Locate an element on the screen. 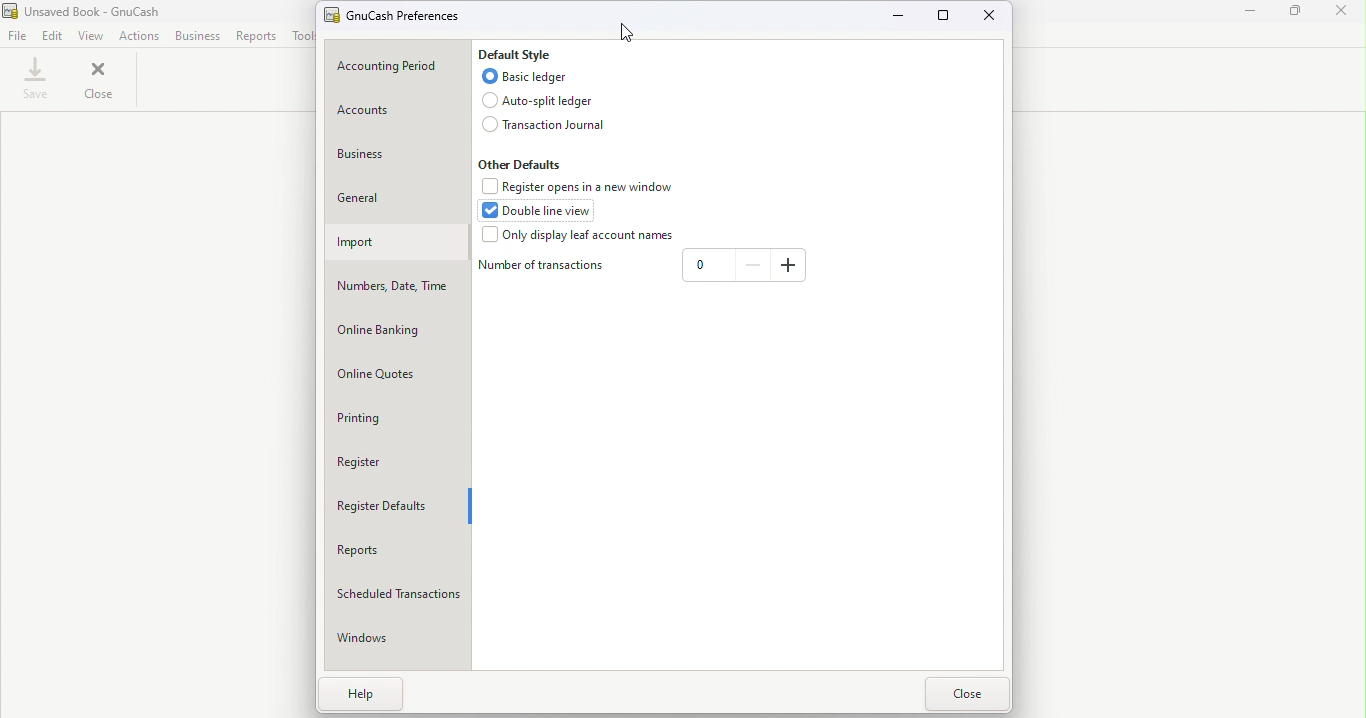 The width and height of the screenshot is (1366, 718). Online Quotes is located at coordinates (394, 372).